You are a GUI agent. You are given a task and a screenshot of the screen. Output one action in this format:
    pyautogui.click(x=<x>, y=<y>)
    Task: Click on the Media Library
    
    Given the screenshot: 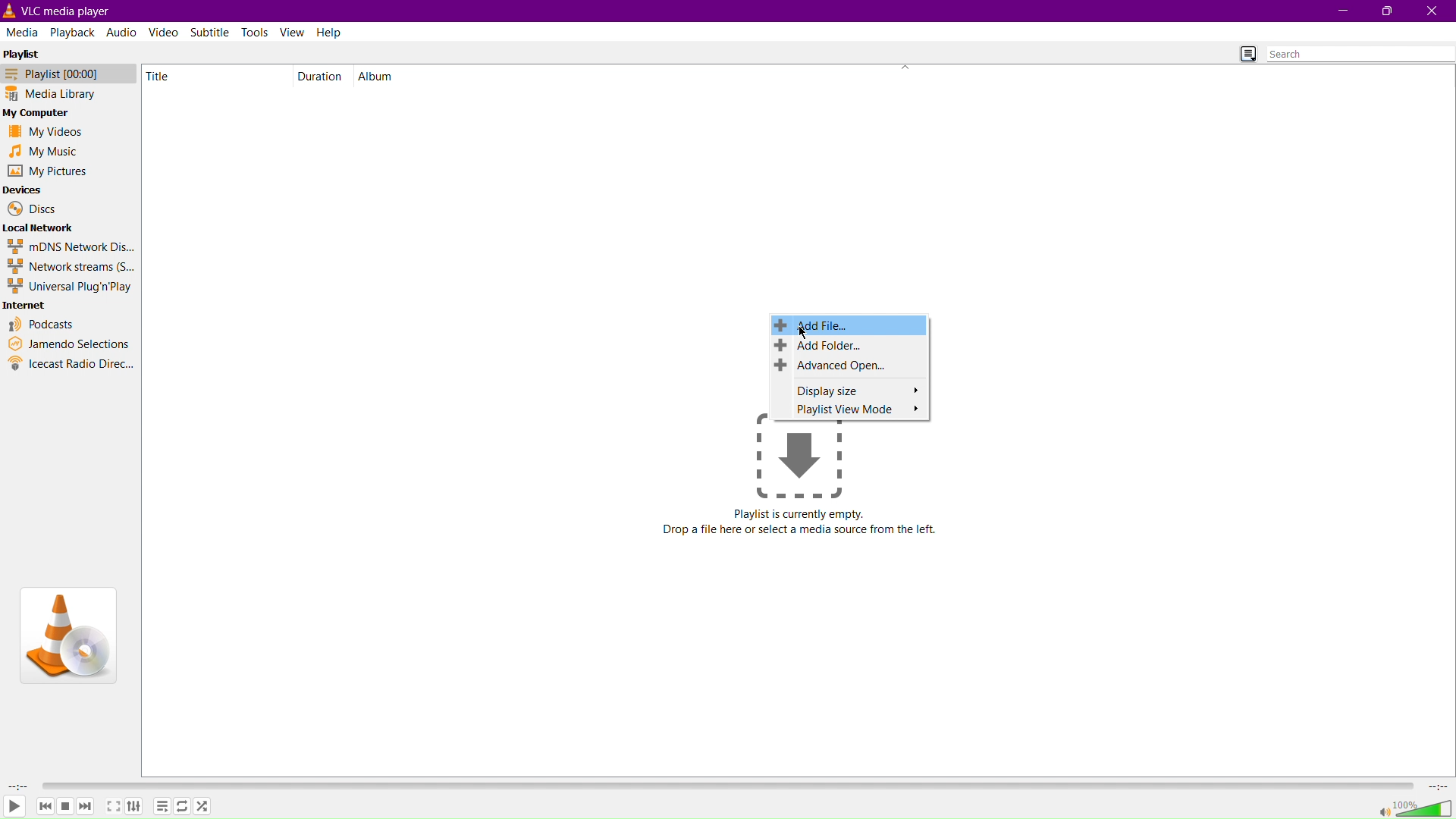 What is the action you would take?
    pyautogui.click(x=64, y=95)
    